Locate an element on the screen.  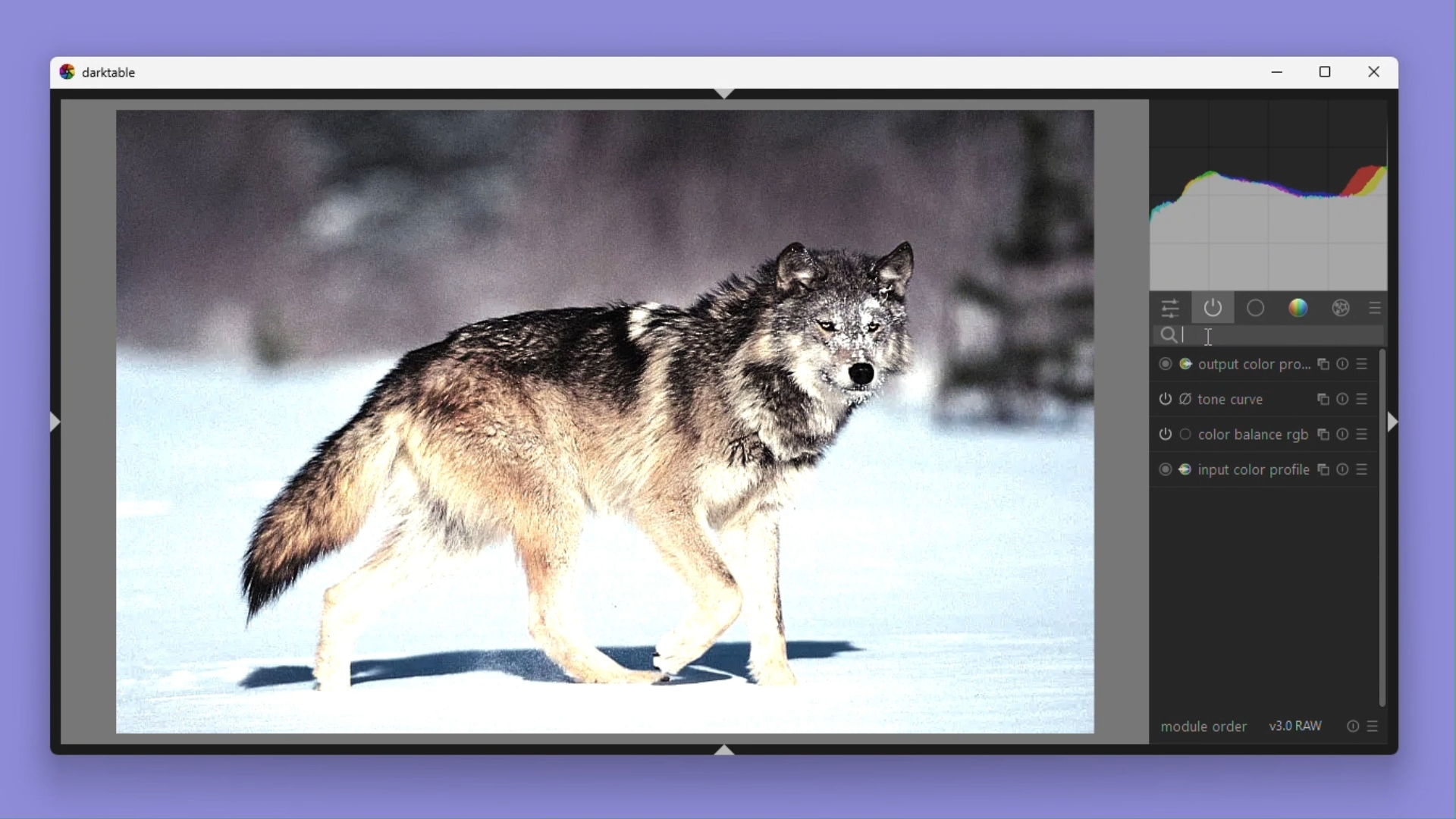
Quick Access is located at coordinates (1170, 309).